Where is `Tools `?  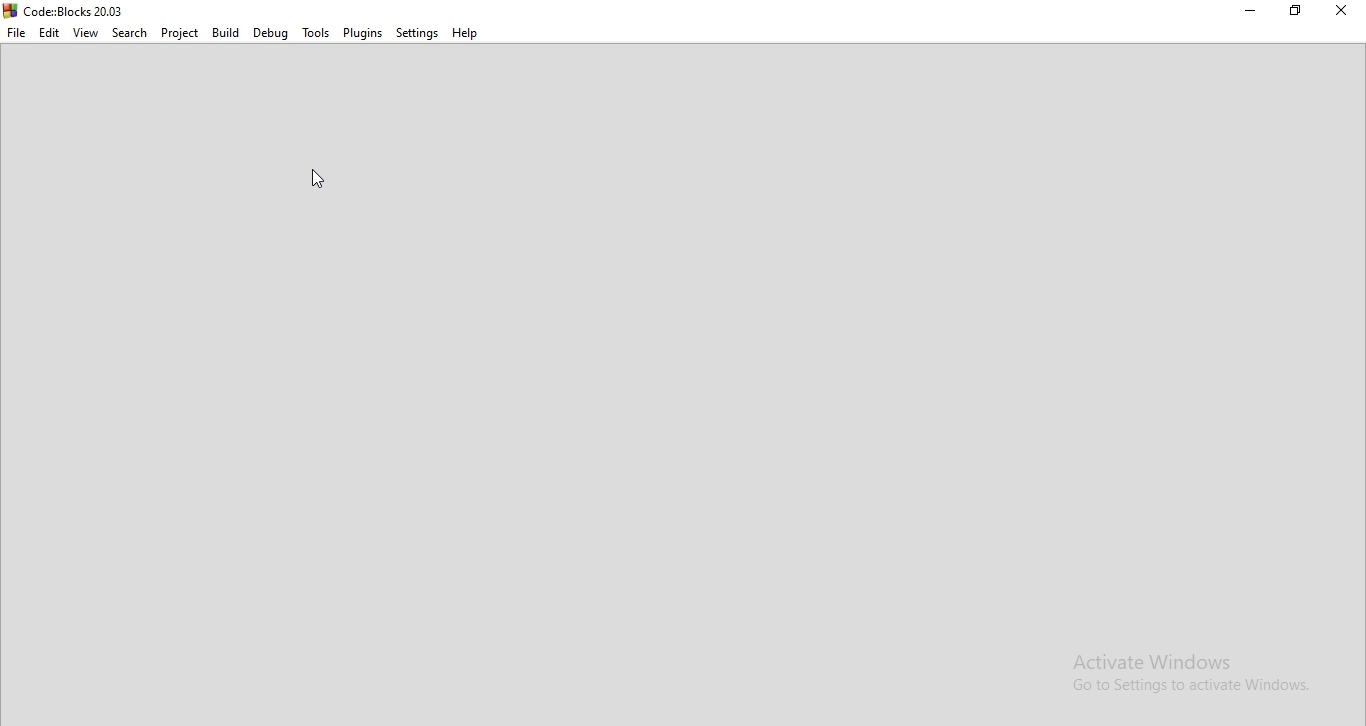 Tools  is located at coordinates (315, 31).